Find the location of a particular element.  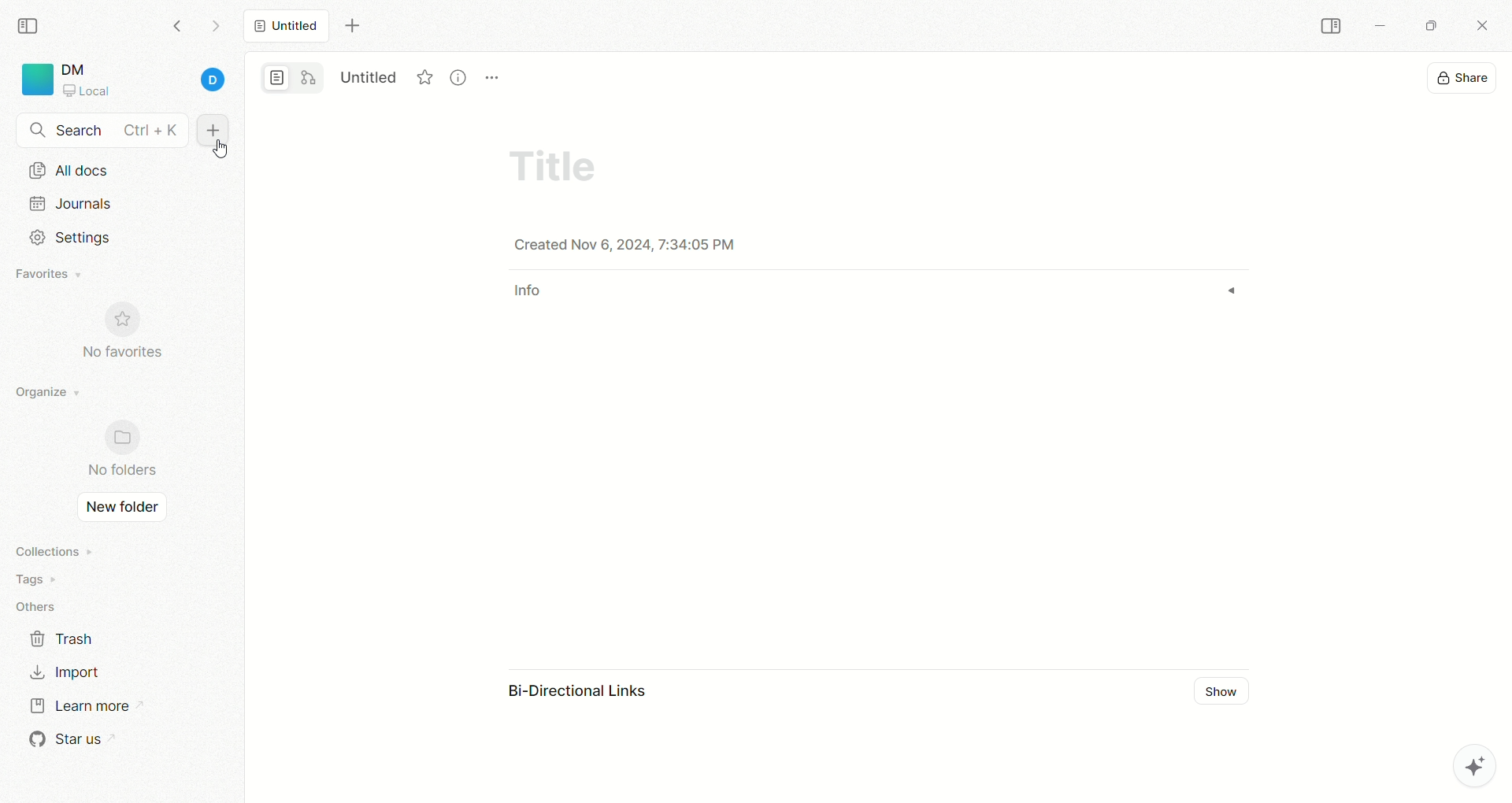

search is located at coordinates (102, 131).